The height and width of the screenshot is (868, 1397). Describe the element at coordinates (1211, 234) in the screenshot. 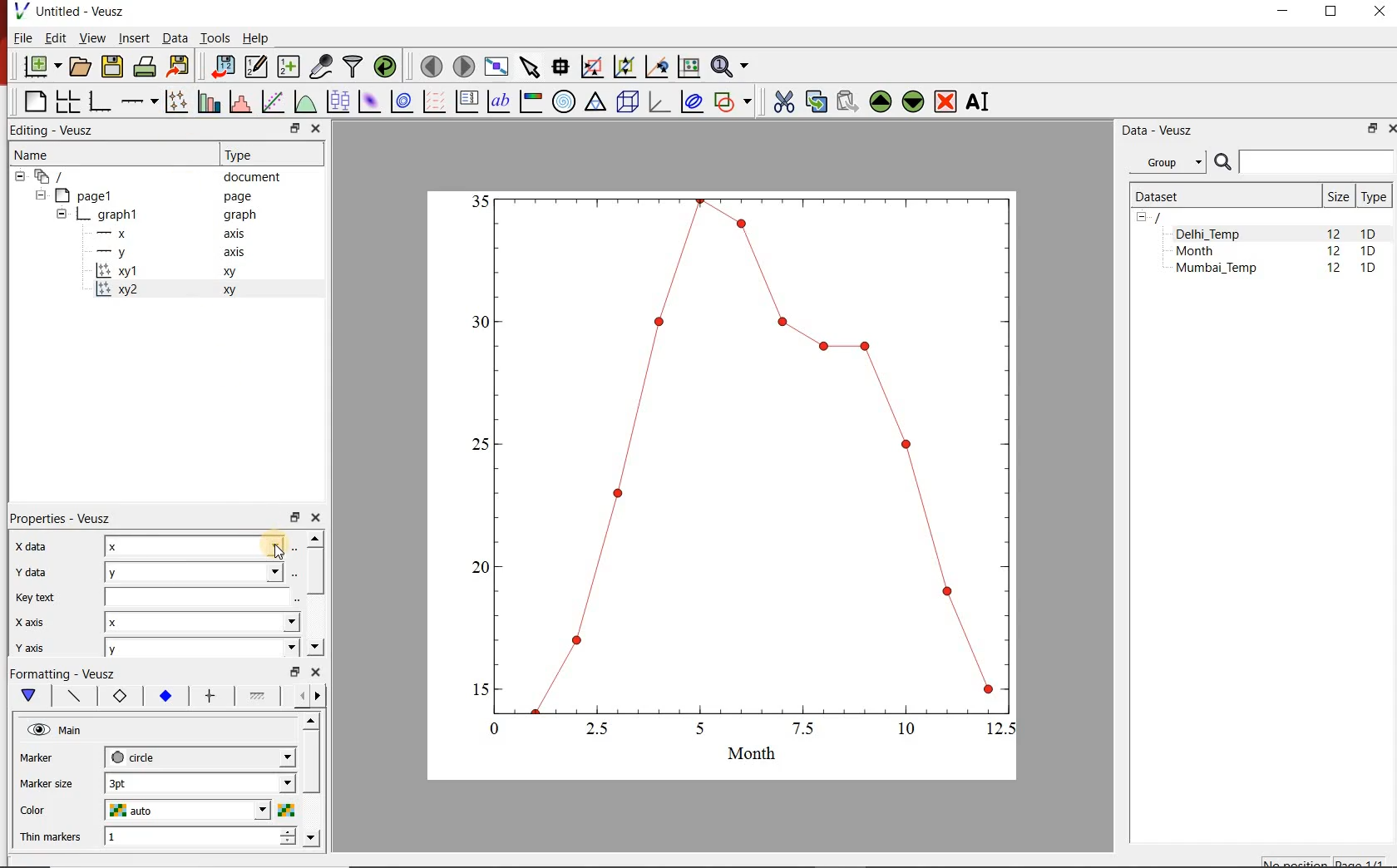

I see `Delhi_Temp` at that location.